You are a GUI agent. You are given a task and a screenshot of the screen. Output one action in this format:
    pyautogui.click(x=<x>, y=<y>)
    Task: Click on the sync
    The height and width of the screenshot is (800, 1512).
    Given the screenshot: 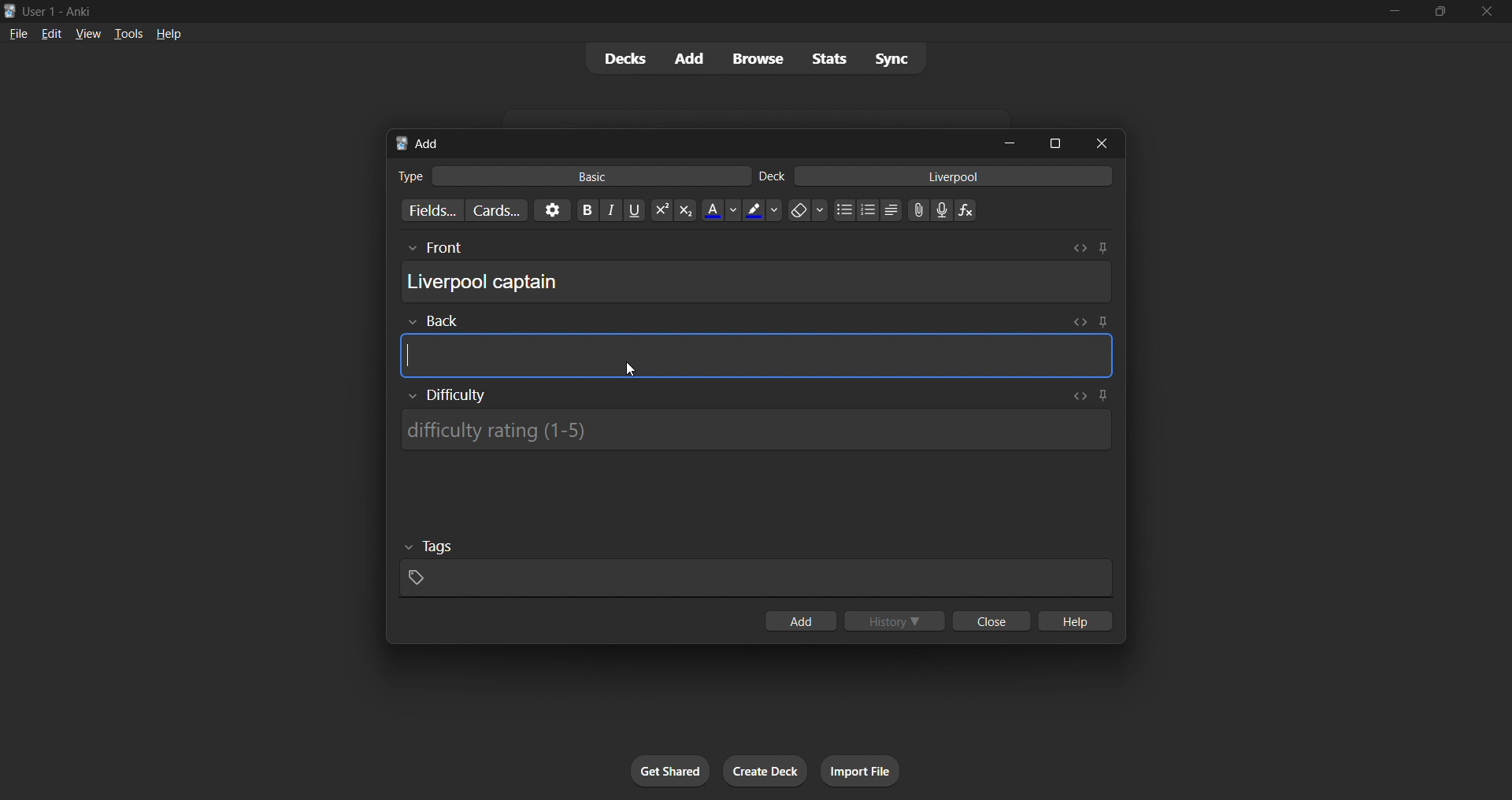 What is the action you would take?
    pyautogui.click(x=891, y=57)
    